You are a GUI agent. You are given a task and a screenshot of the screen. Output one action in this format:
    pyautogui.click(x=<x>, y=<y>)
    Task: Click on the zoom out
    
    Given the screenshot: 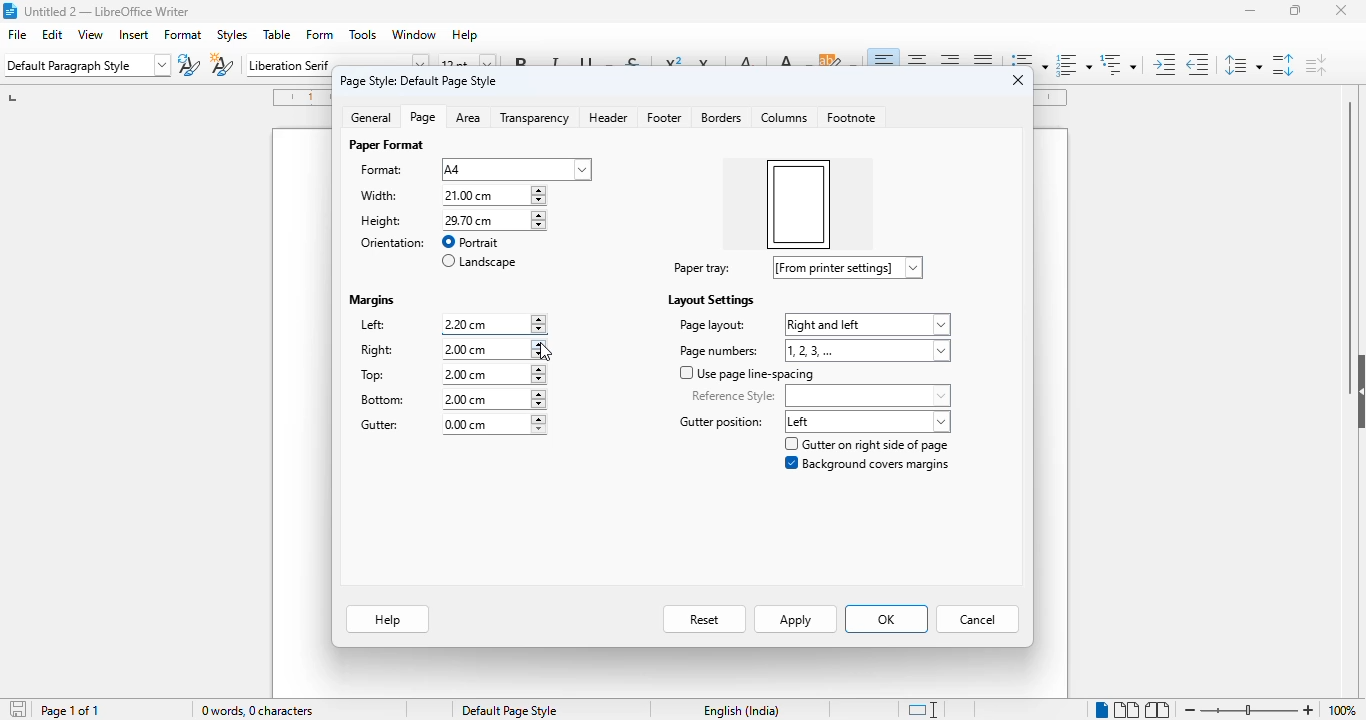 What is the action you would take?
    pyautogui.click(x=1190, y=710)
    